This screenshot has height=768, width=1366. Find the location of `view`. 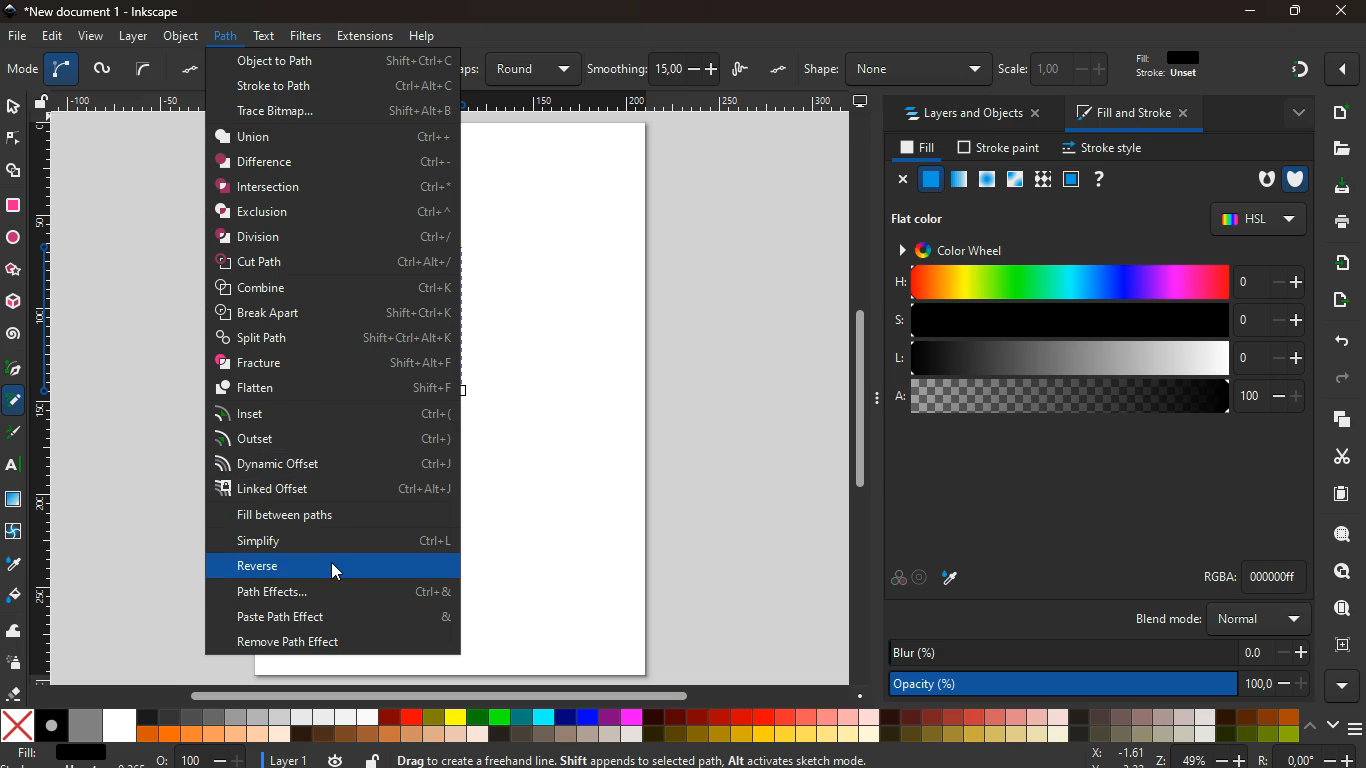

view is located at coordinates (92, 37).